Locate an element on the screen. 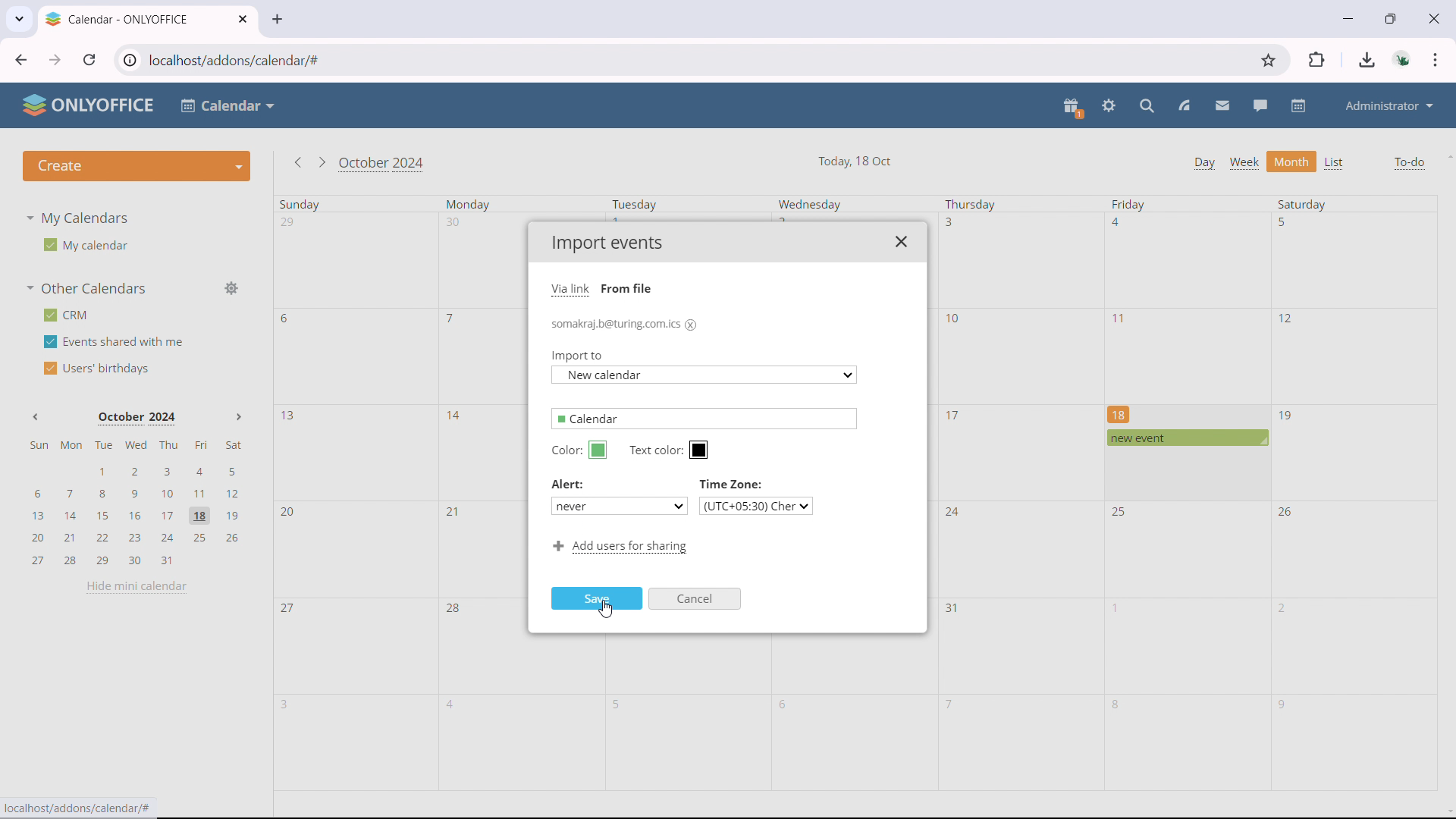 The height and width of the screenshot is (819, 1456). month is located at coordinates (1292, 162).